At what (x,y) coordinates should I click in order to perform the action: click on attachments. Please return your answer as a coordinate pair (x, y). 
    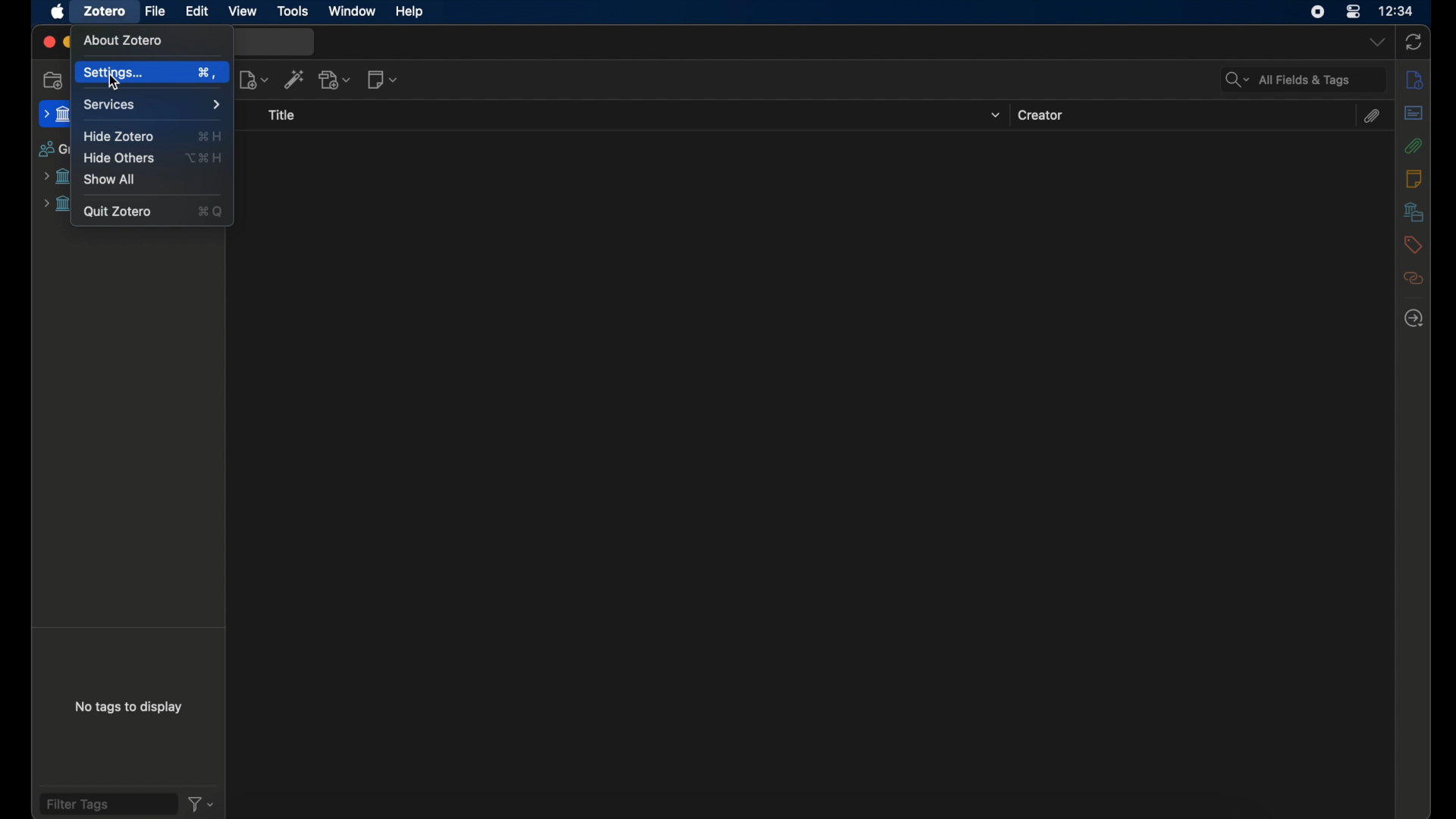
    Looking at the image, I should click on (1413, 146).